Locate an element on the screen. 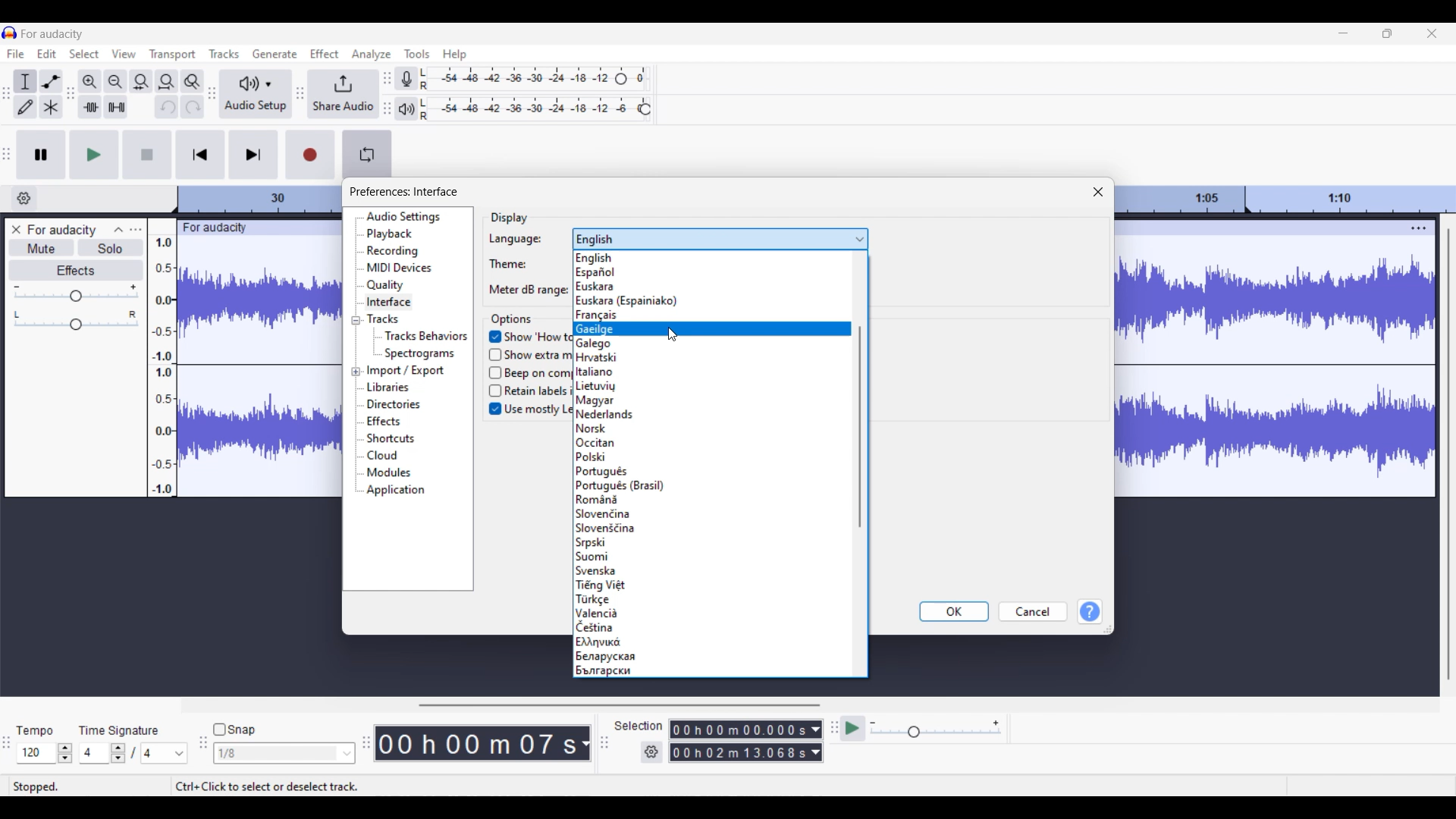 Image resolution: width=1456 pixels, height=819 pixels. english is located at coordinates (725, 238).